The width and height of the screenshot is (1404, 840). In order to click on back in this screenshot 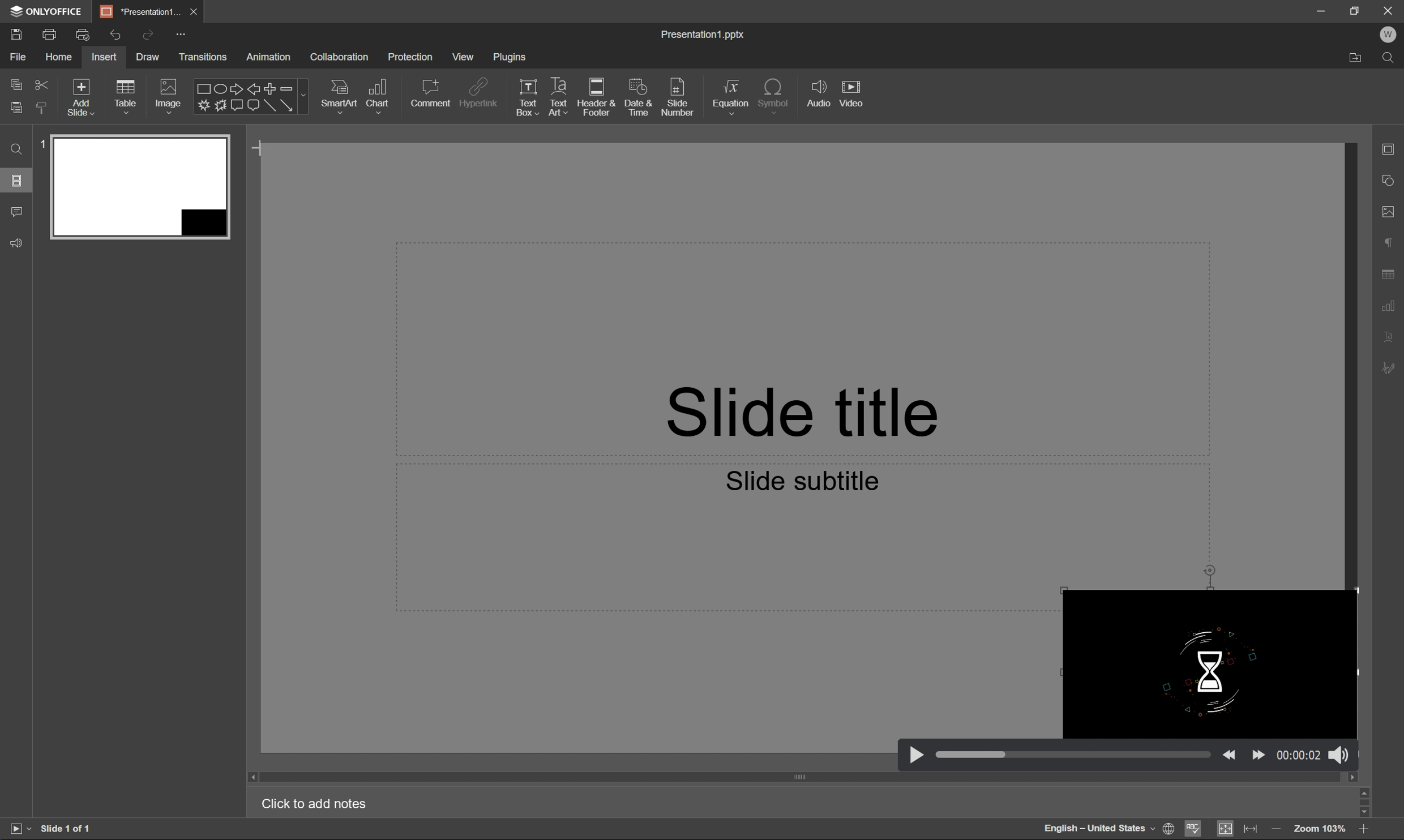, I will do `click(1230, 753)`.